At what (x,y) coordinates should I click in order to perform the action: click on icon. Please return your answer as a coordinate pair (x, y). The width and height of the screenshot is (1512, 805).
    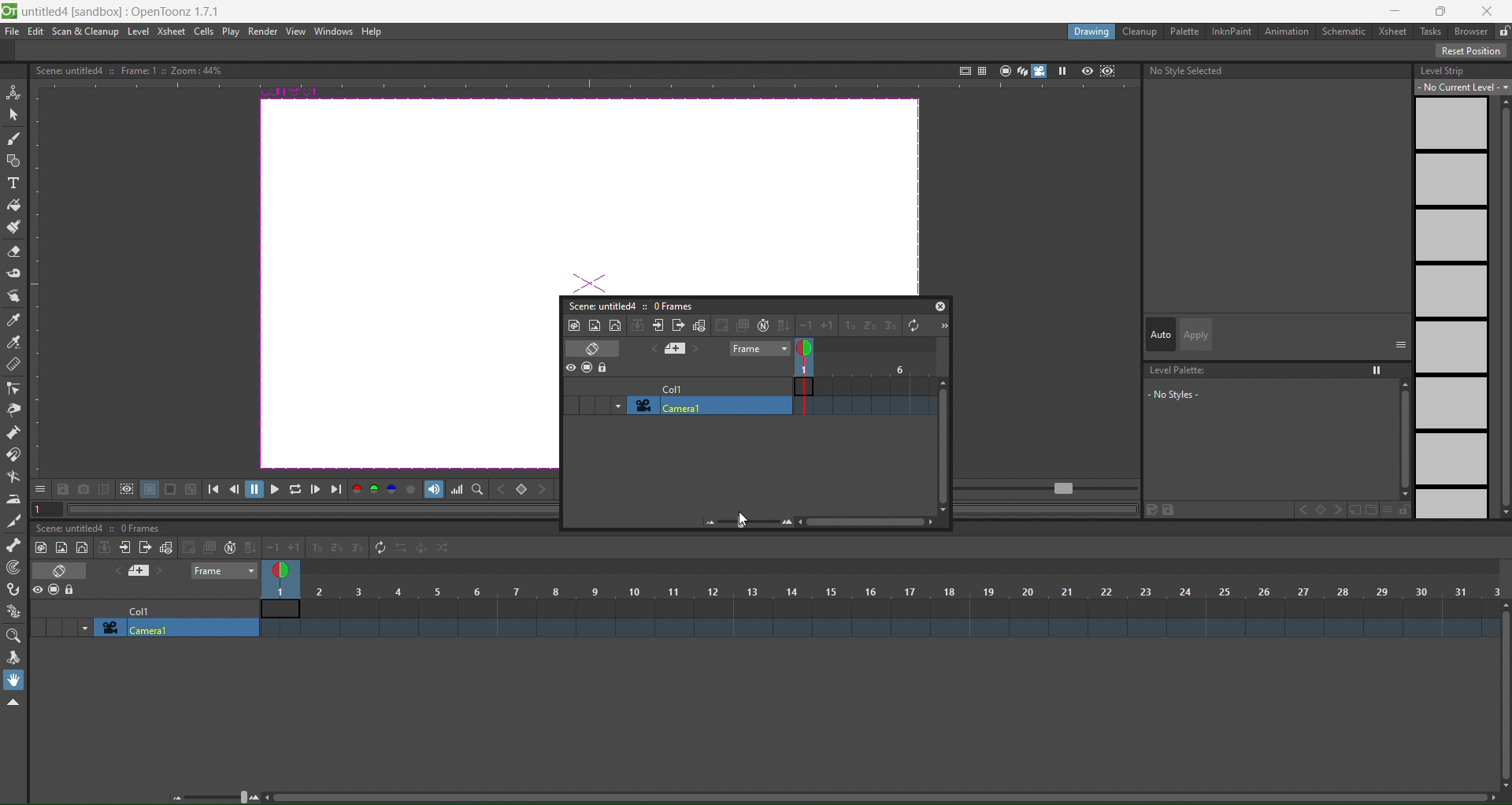
    Looking at the image, I should click on (587, 368).